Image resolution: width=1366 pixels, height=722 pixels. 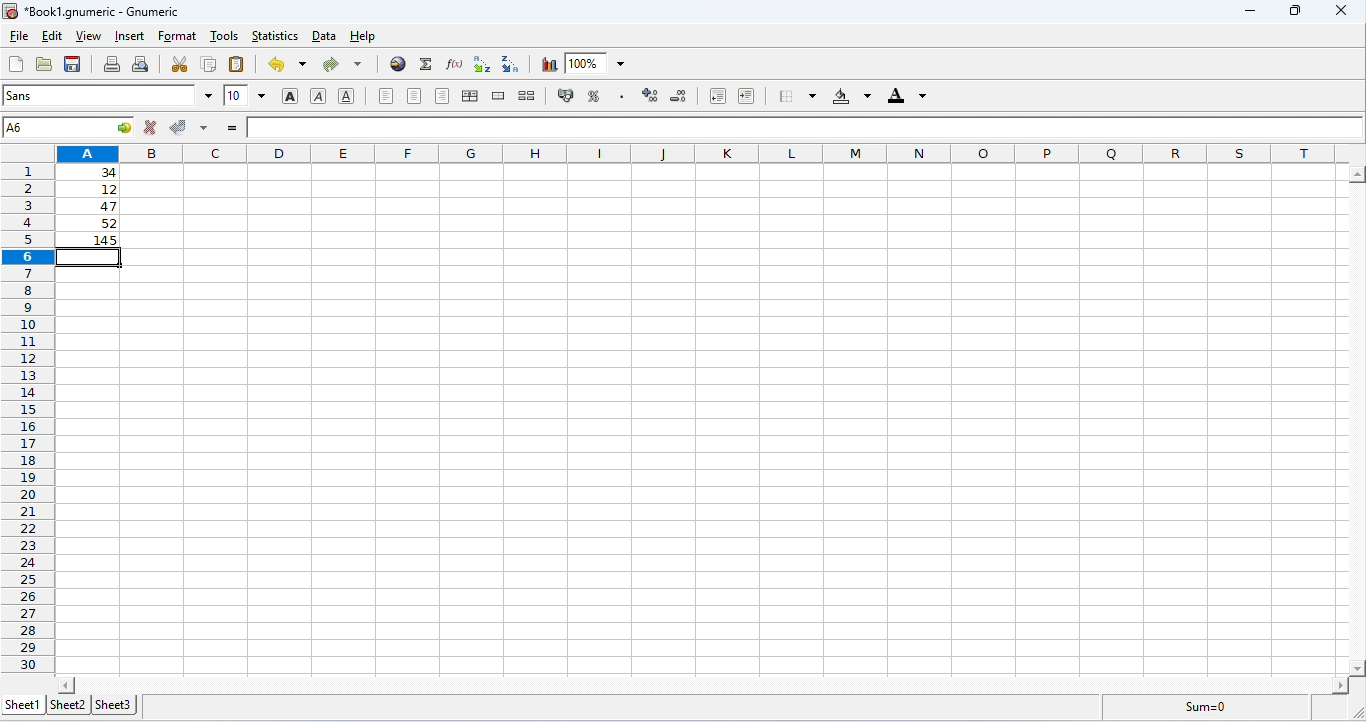 What do you see at coordinates (443, 96) in the screenshot?
I see `align right` at bounding box center [443, 96].